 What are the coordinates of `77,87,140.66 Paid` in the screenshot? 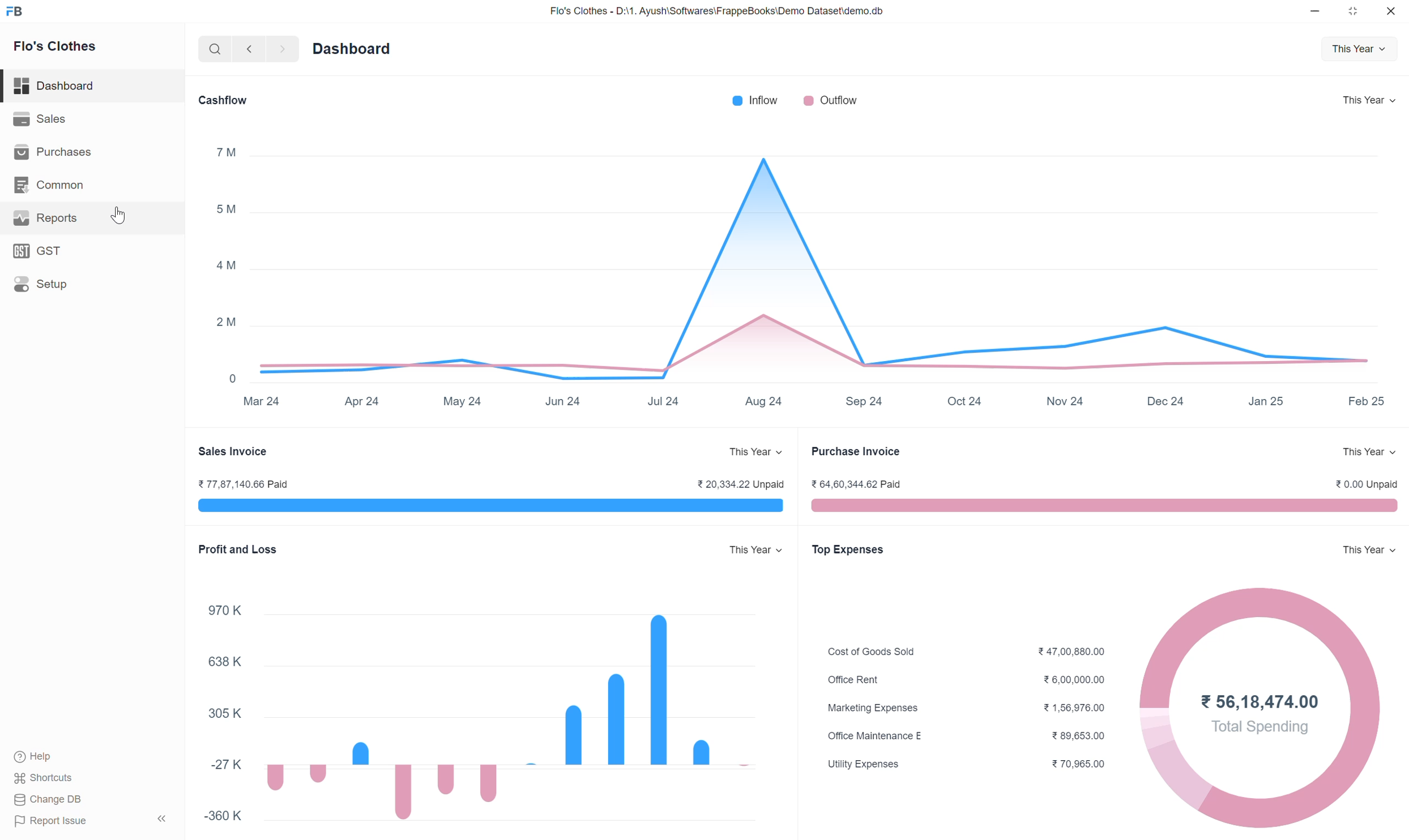 It's located at (253, 484).